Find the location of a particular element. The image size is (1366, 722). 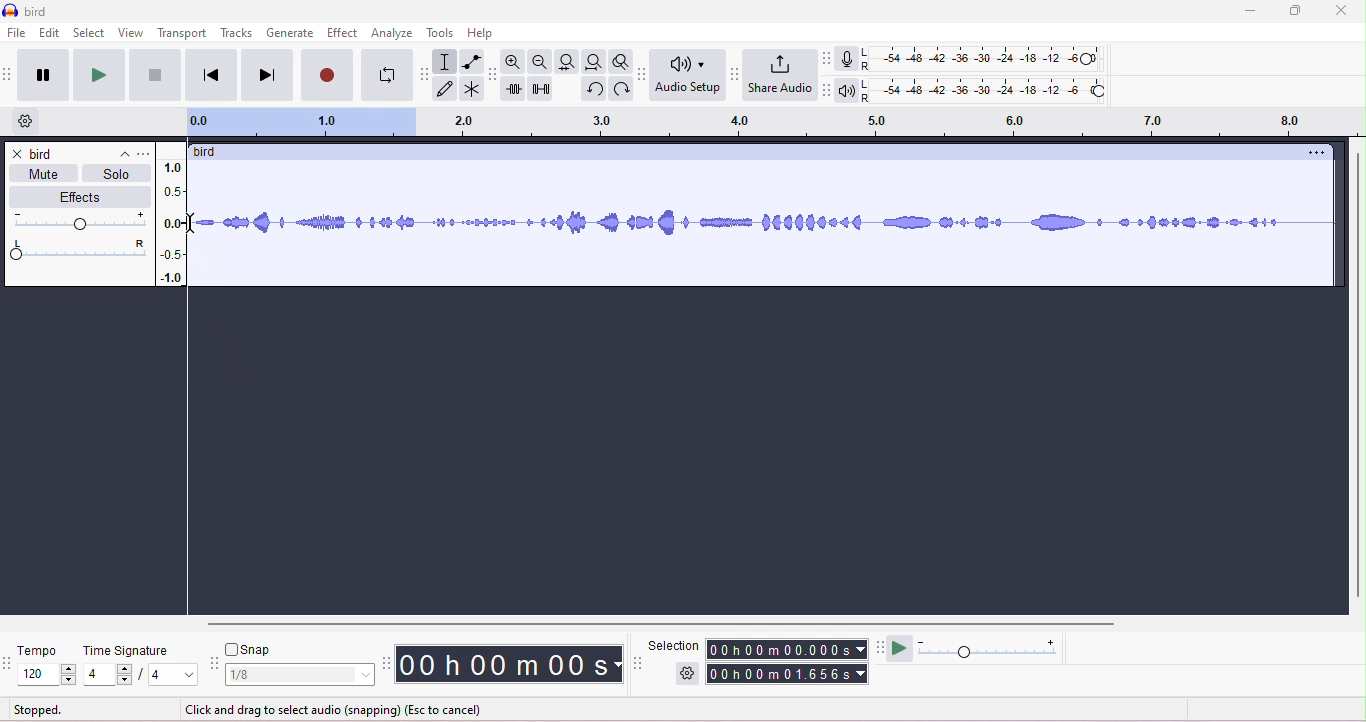

00 h 00 m 00 s is located at coordinates (512, 663).